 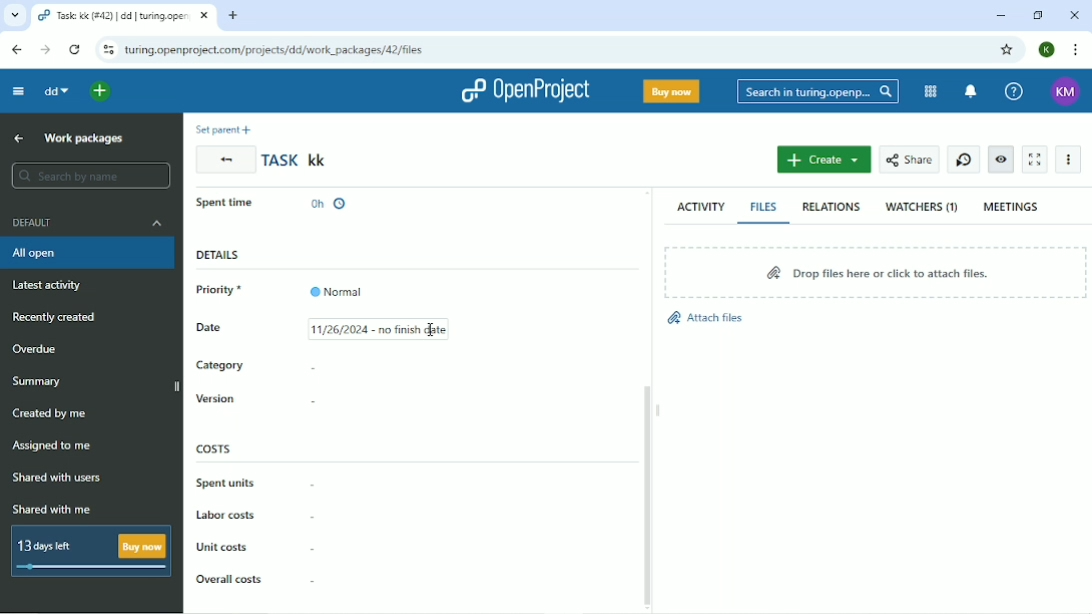 What do you see at coordinates (49, 413) in the screenshot?
I see `Created by me` at bounding box center [49, 413].